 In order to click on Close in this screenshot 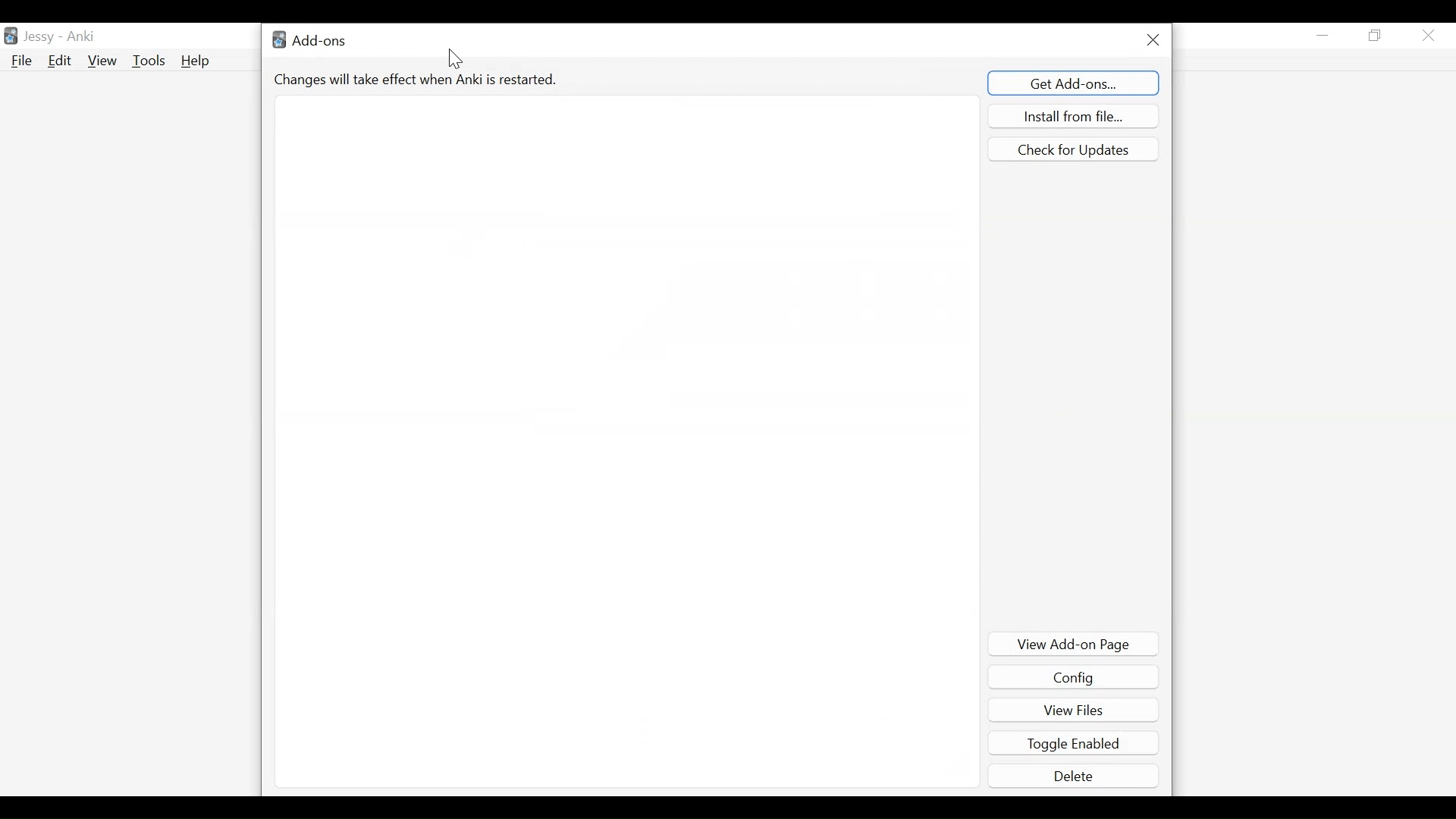, I will do `click(1428, 36)`.